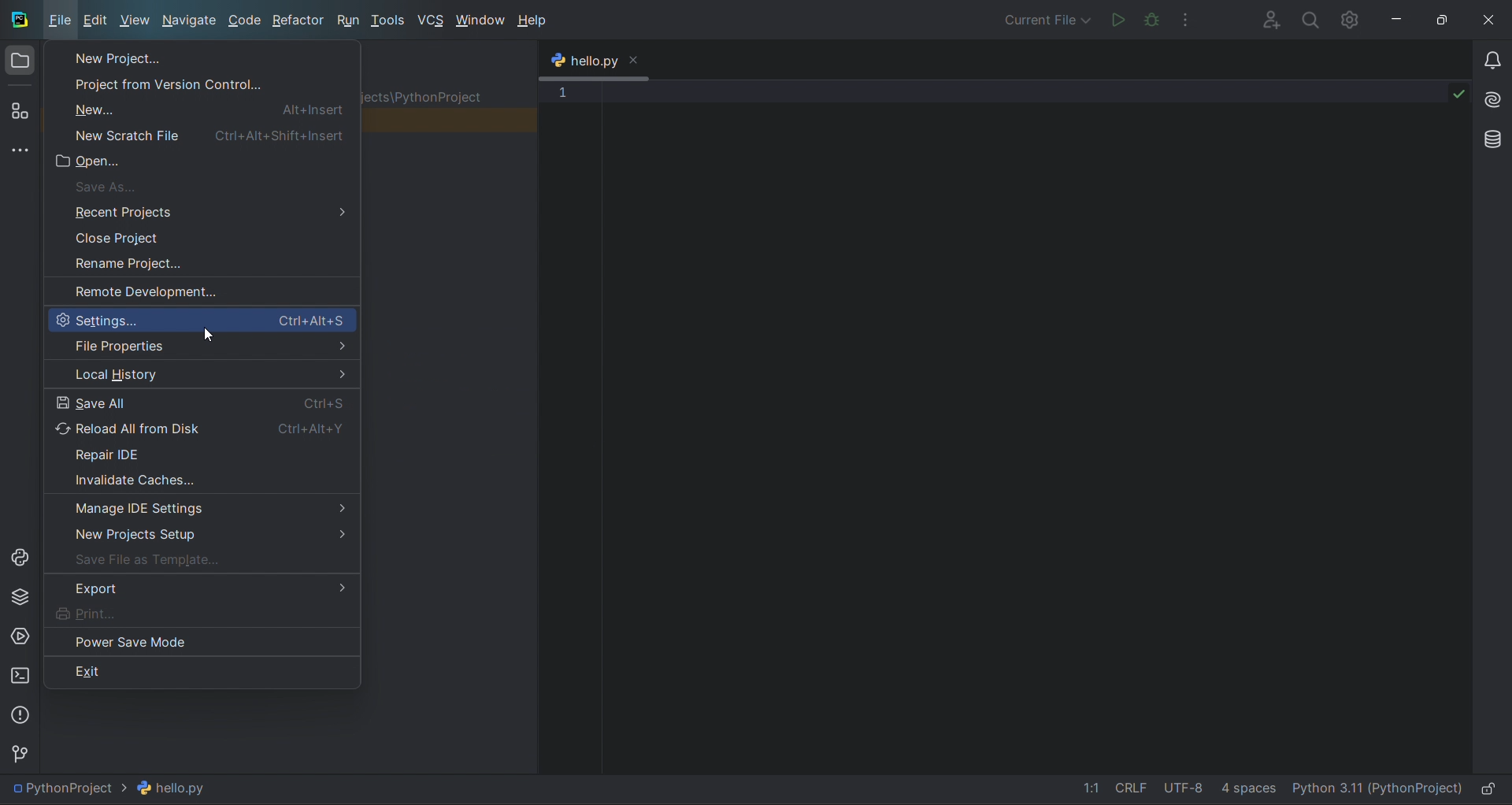  Describe the element at coordinates (1450, 18) in the screenshot. I see `maximize` at that location.